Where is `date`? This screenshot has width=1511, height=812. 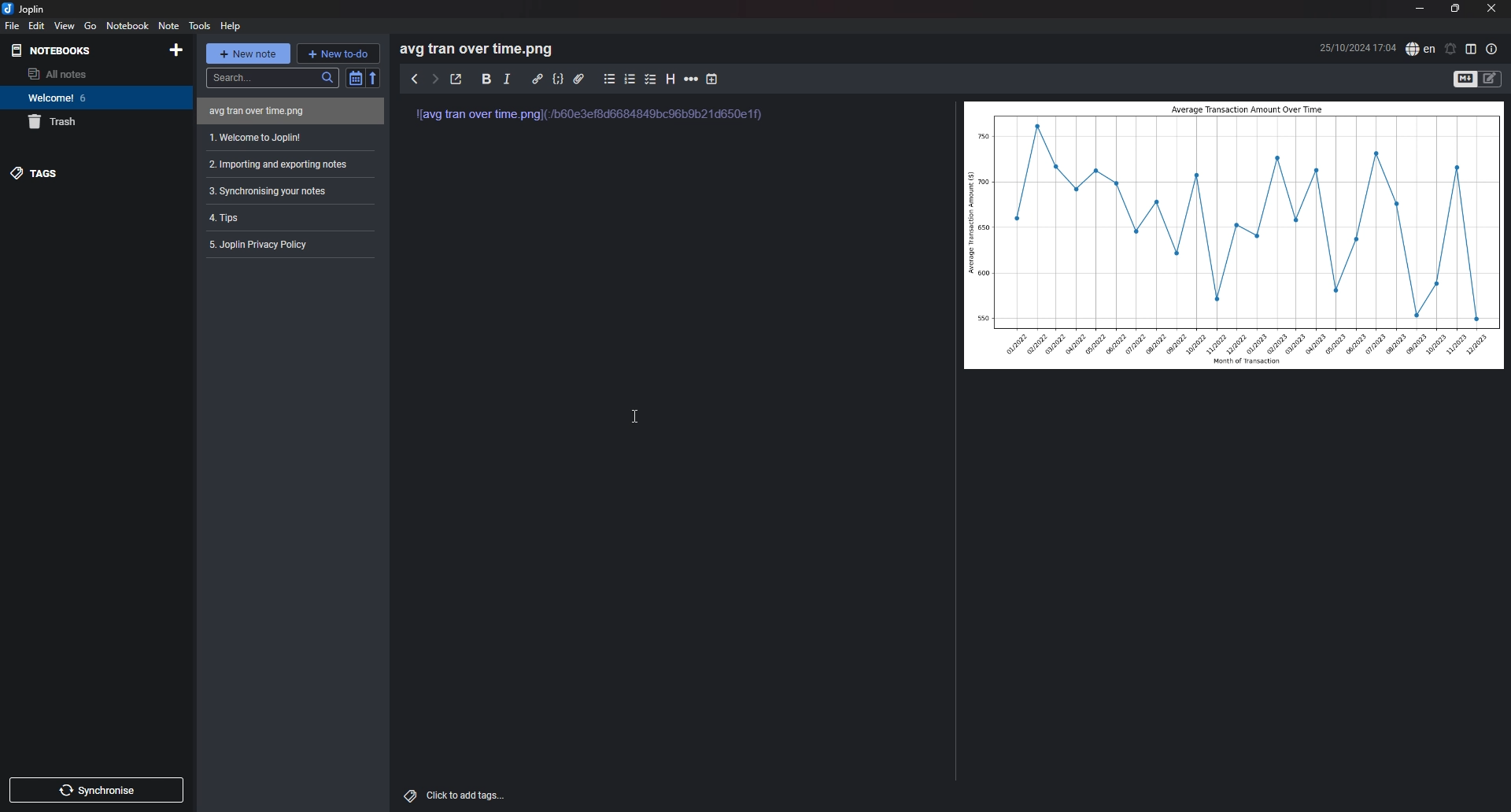 date is located at coordinates (1357, 47).